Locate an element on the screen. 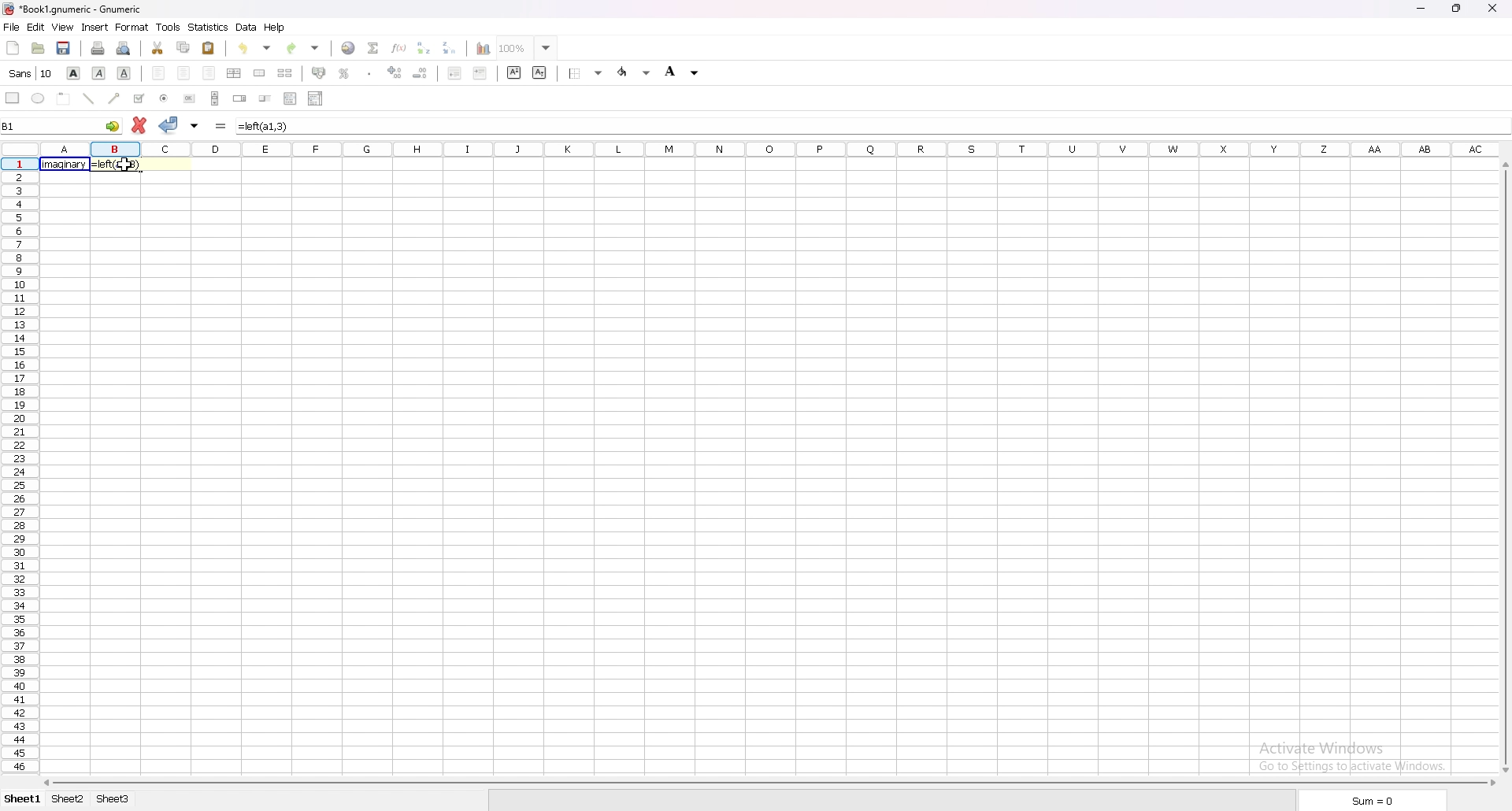 This screenshot has height=811, width=1512. ellipse is located at coordinates (38, 99).